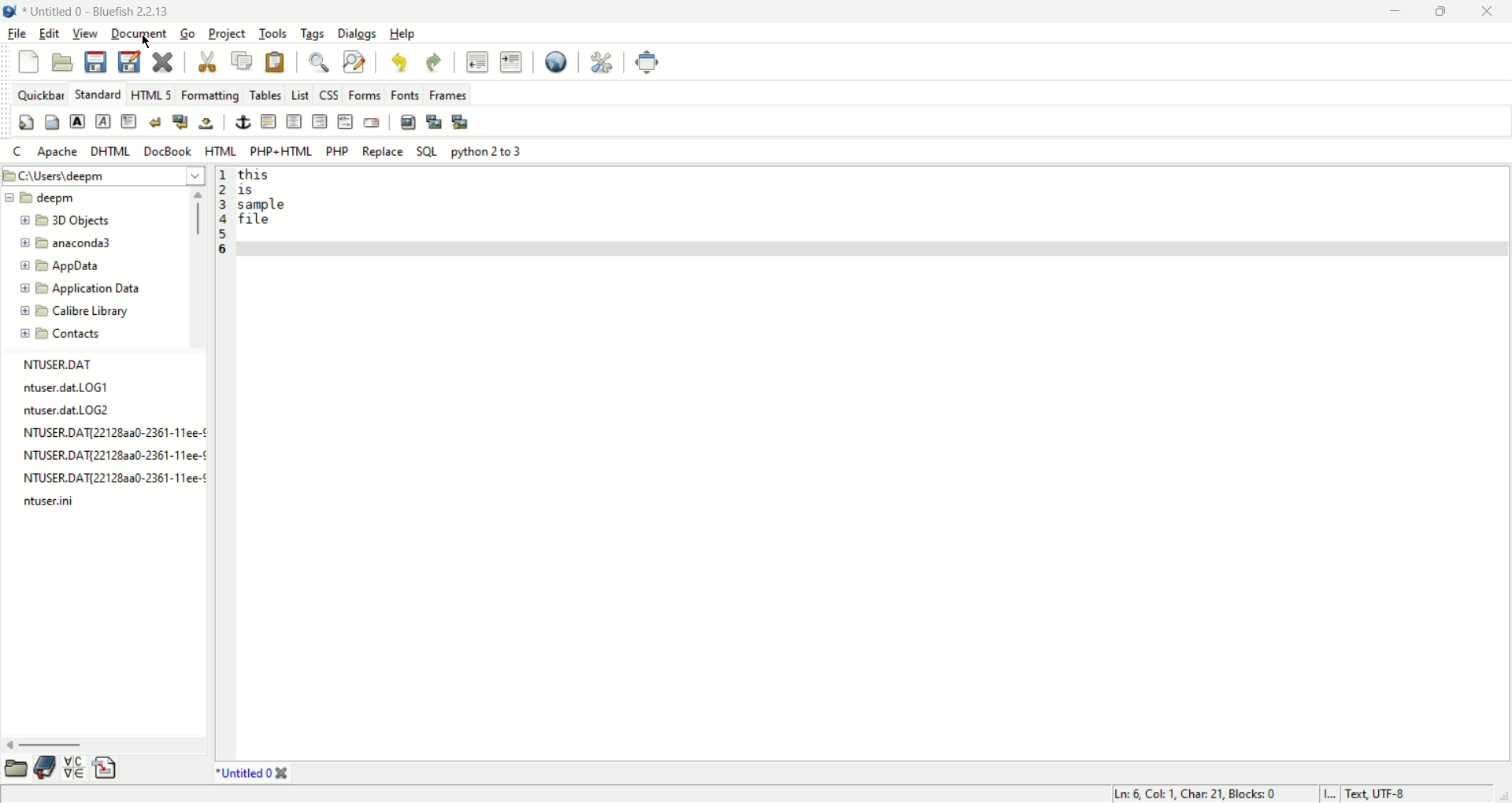  I want to click on anaconda, so click(72, 243).